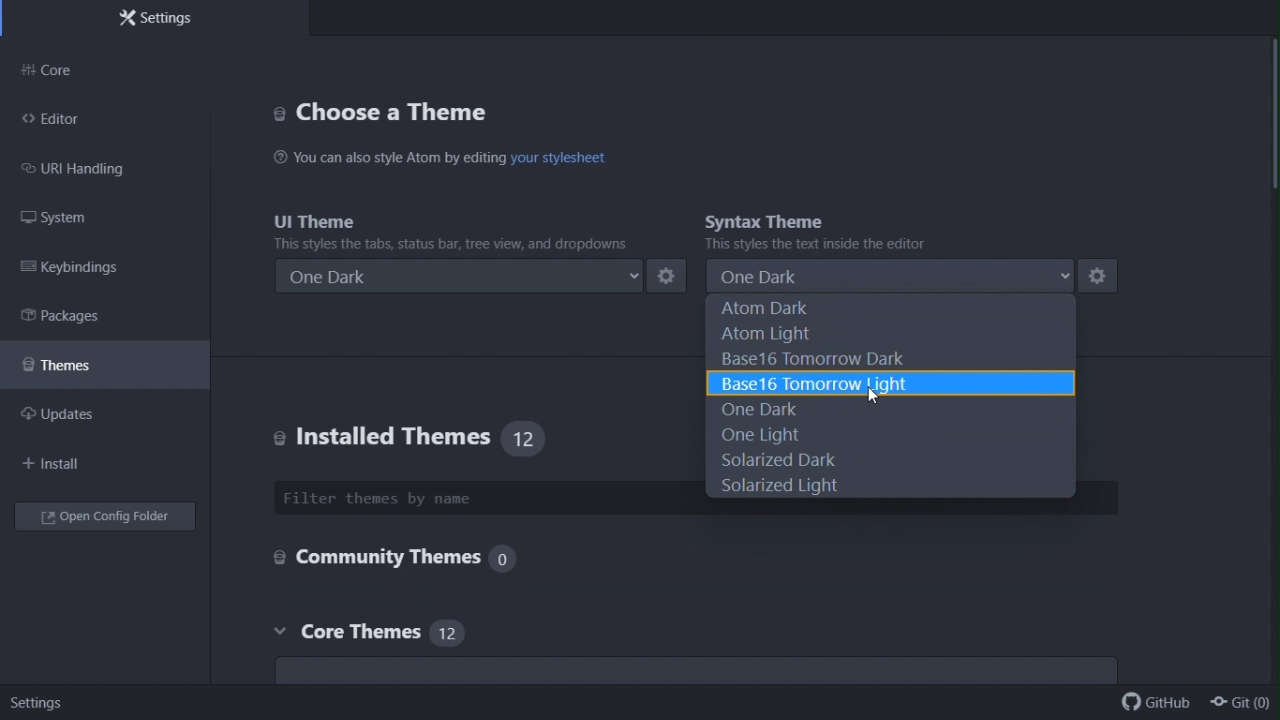 Image resolution: width=1280 pixels, height=720 pixels. Describe the element at coordinates (405, 634) in the screenshot. I see `core themes` at that location.